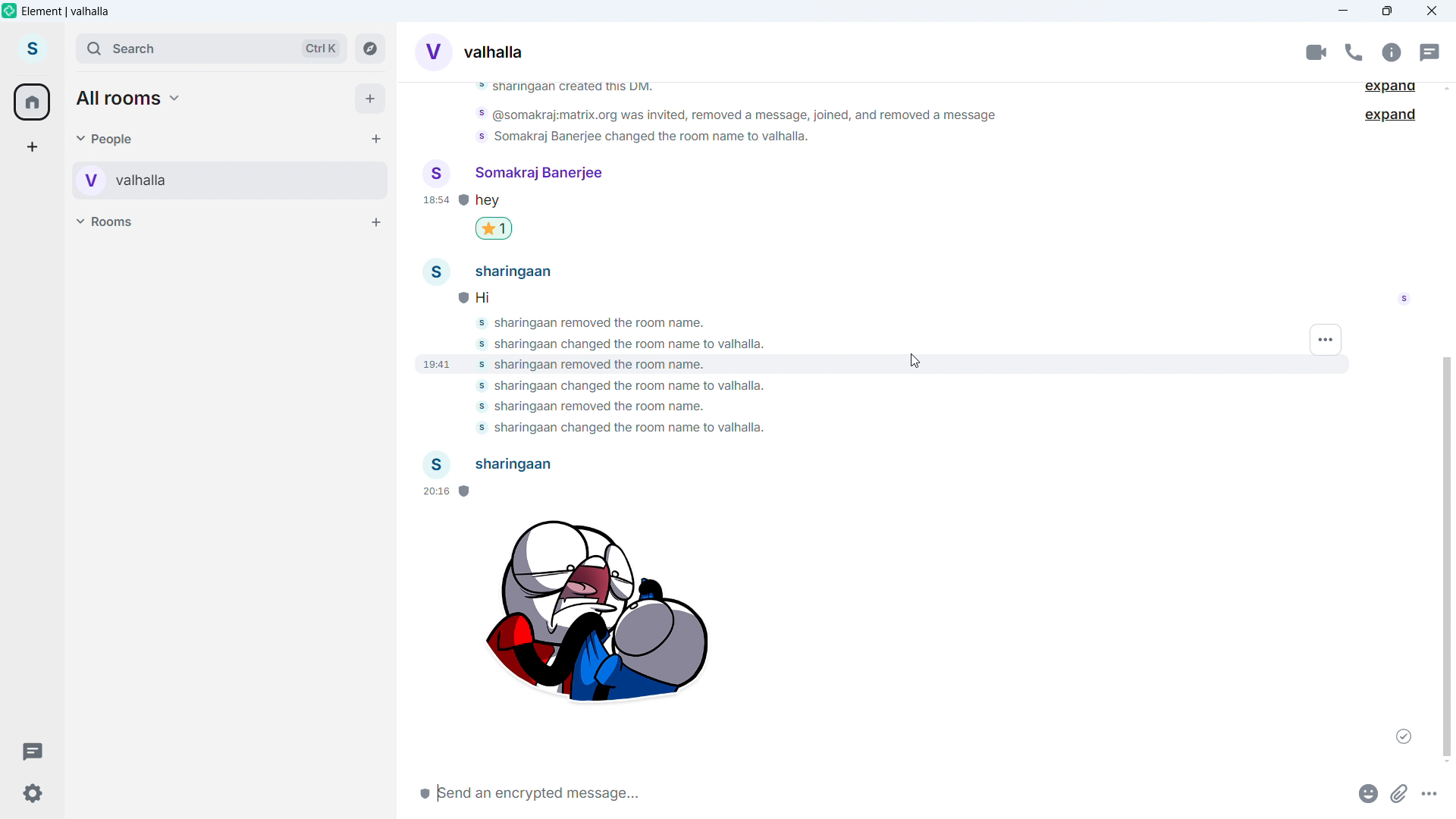 This screenshot has width=1456, height=819. Describe the element at coordinates (1388, 11) in the screenshot. I see `Maximize` at that location.